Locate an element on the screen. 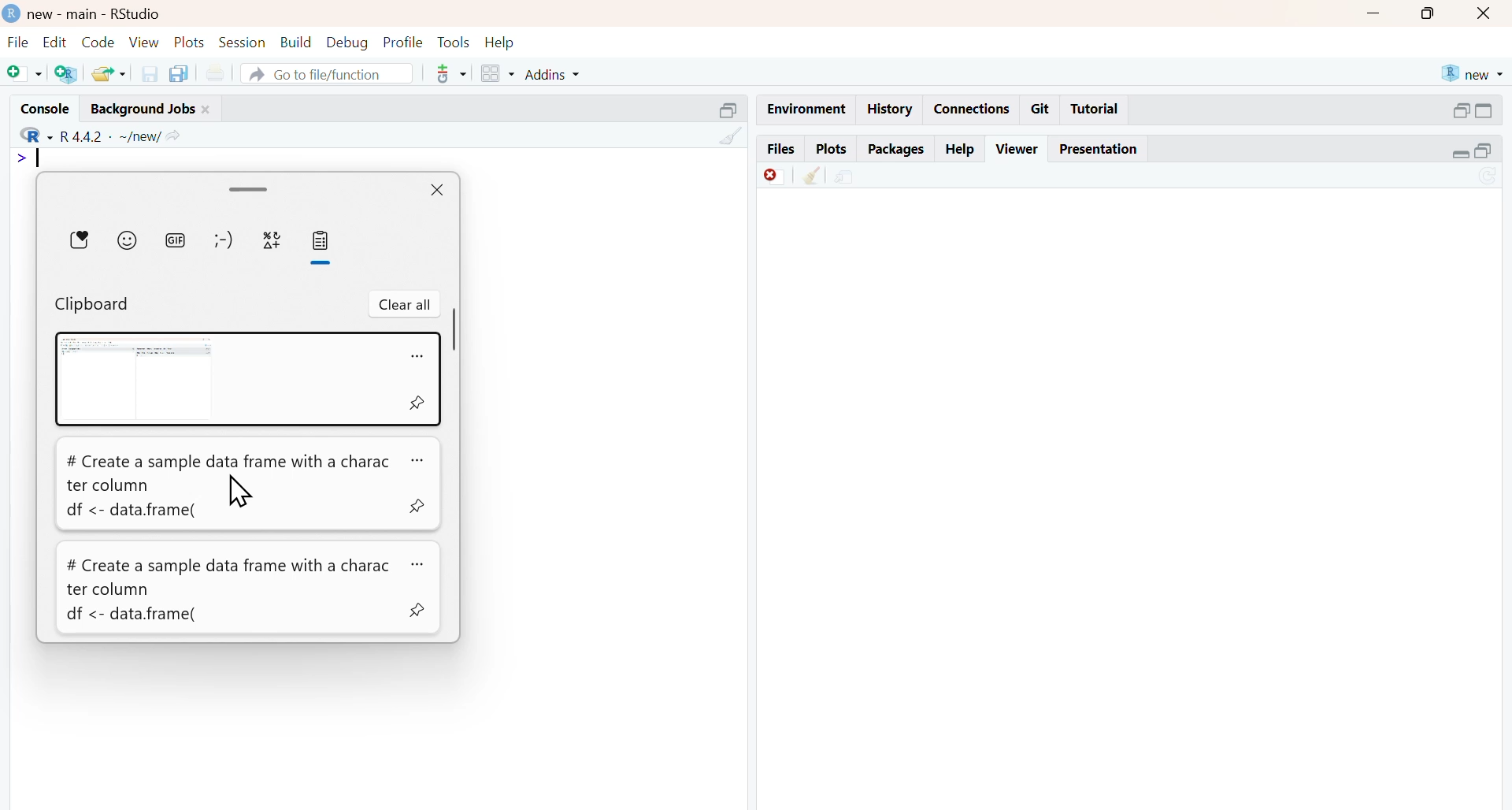 This screenshot has width=1512, height=810. typing indicator is located at coordinates (39, 158).